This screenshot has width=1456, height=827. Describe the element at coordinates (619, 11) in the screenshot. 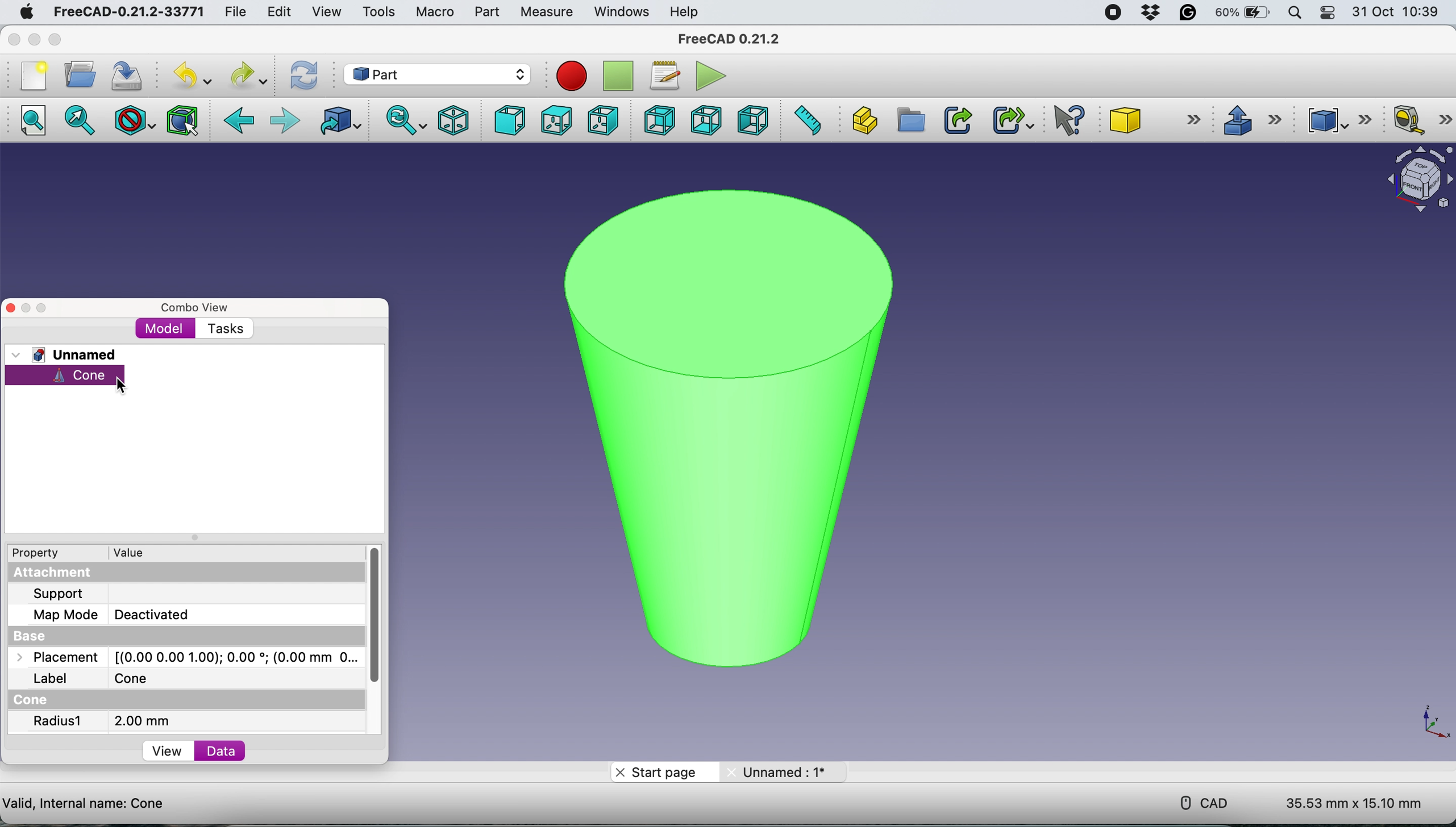

I see `windows` at that location.